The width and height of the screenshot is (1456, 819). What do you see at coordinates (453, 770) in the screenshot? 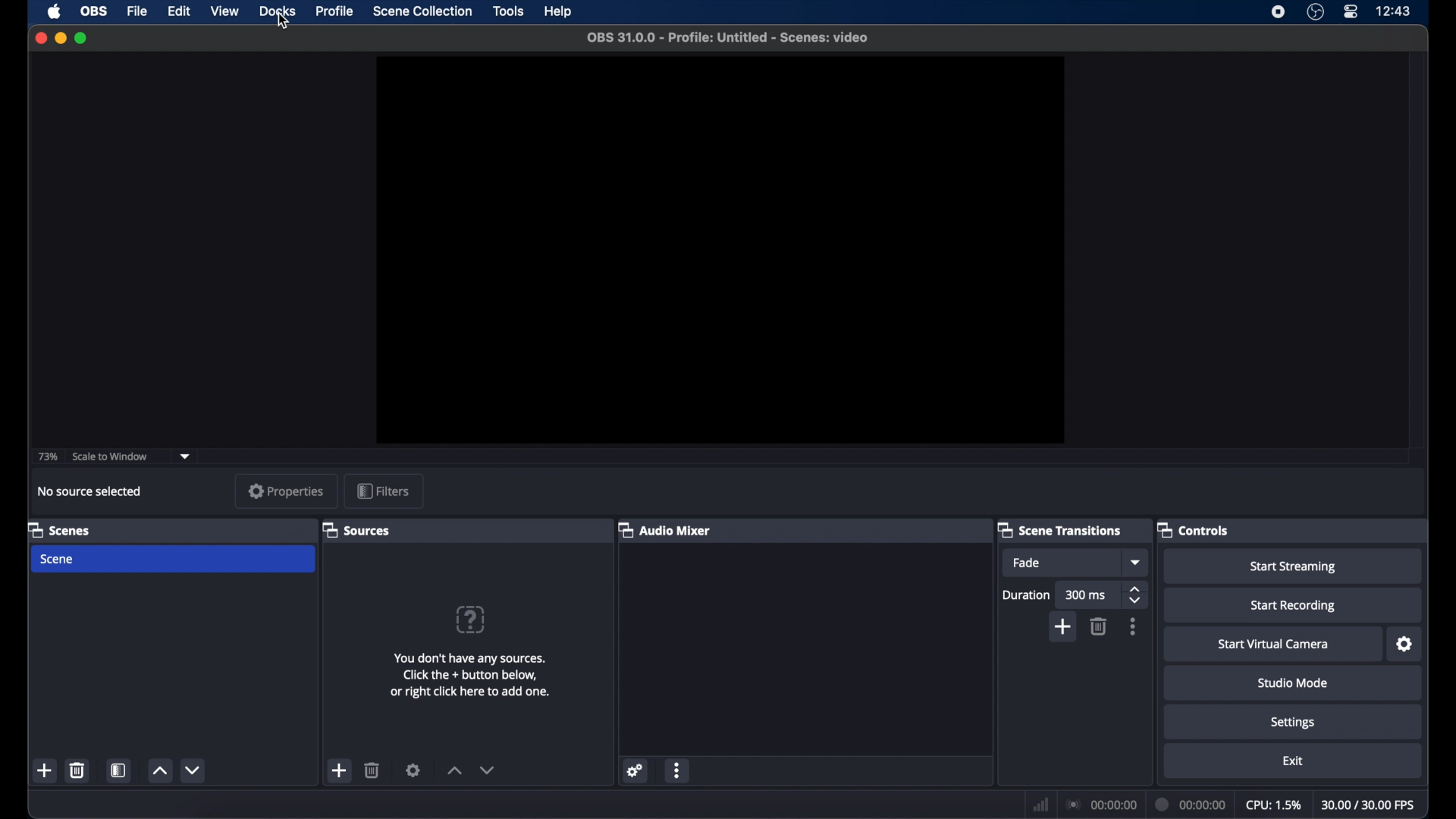
I see `increment` at bounding box center [453, 770].